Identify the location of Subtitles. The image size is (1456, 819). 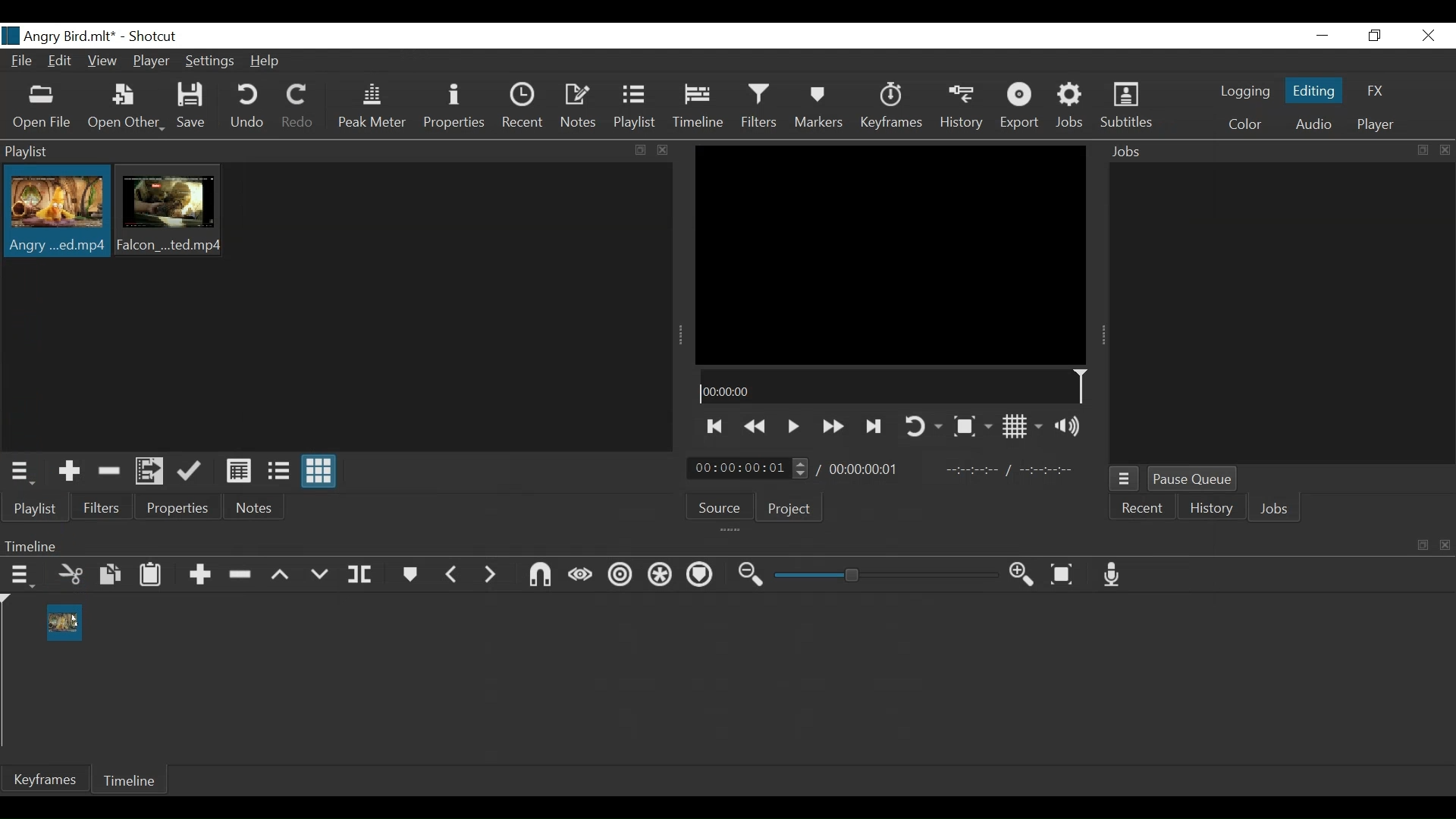
(1128, 107).